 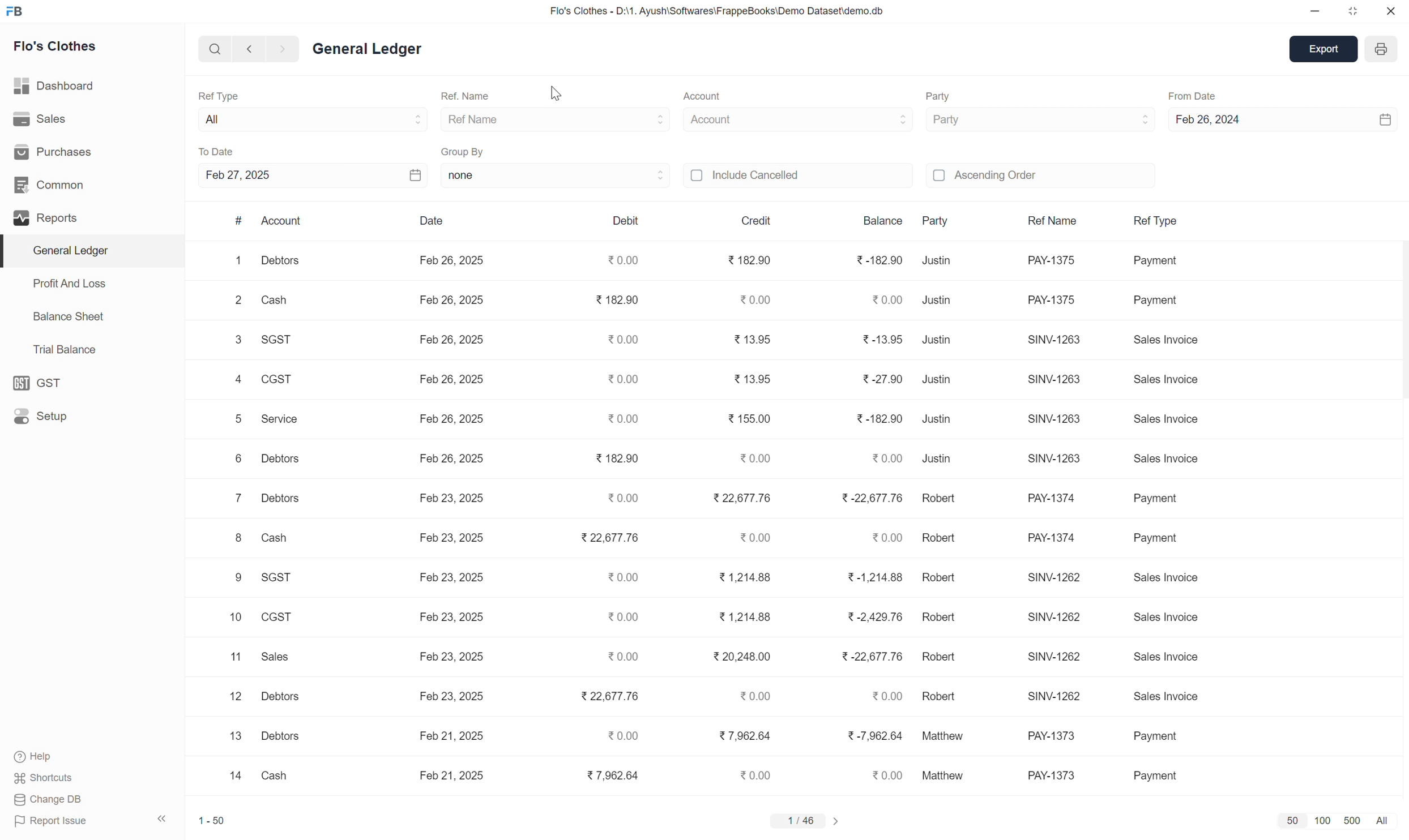 What do you see at coordinates (1052, 259) in the screenshot?
I see `PAY-1375` at bounding box center [1052, 259].